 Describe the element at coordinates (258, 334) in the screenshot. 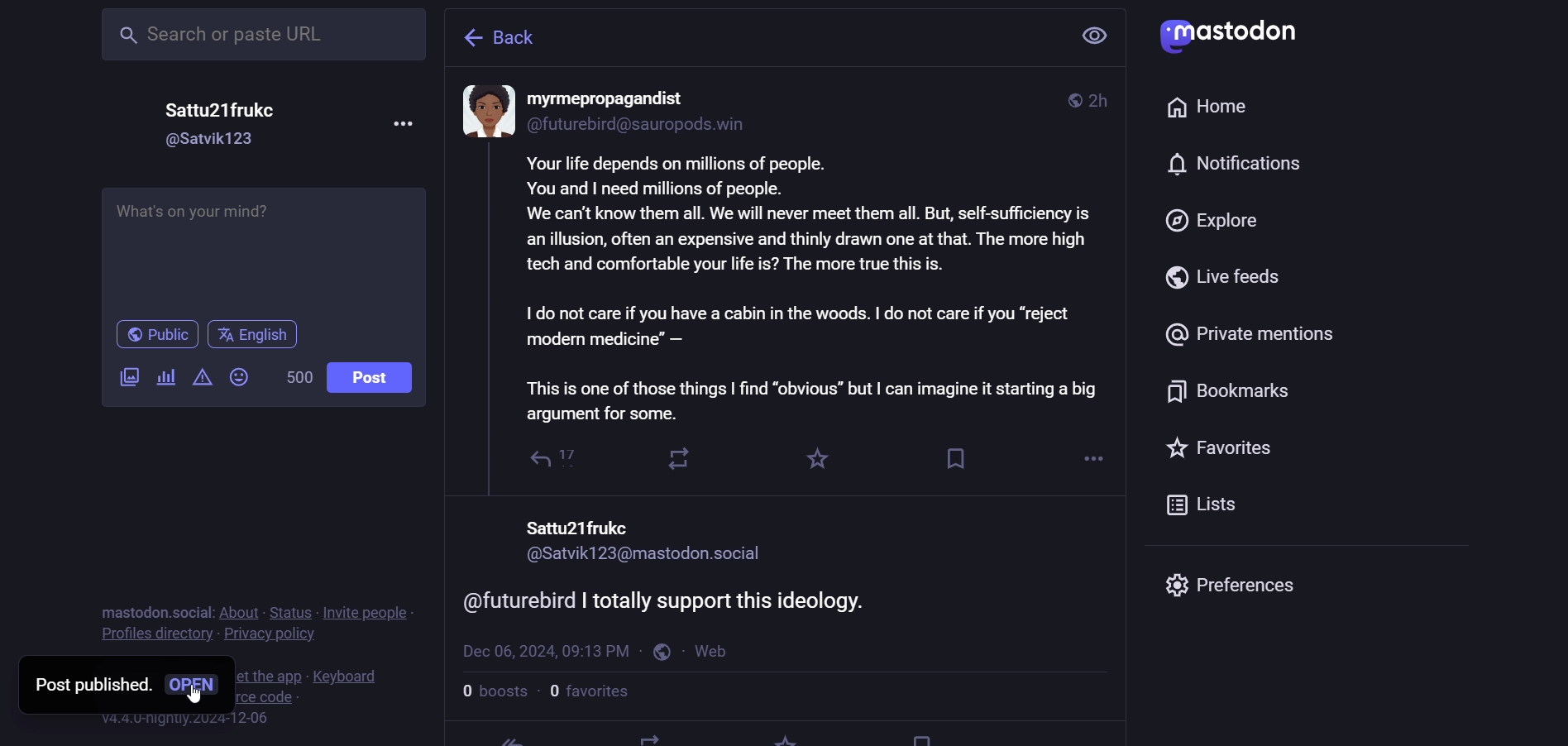

I see `english` at that location.